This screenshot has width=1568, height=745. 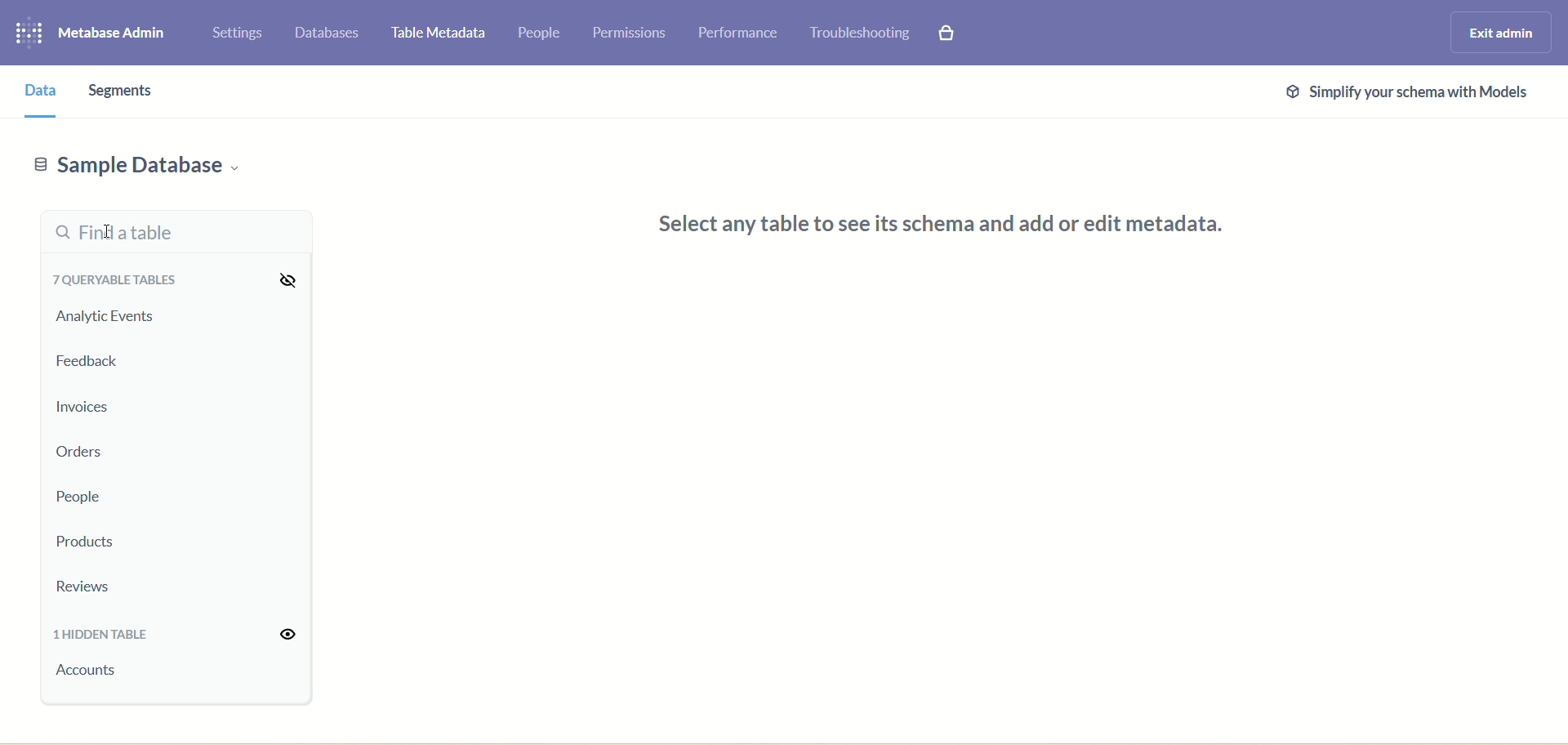 What do you see at coordinates (95, 544) in the screenshot?
I see `products` at bounding box center [95, 544].